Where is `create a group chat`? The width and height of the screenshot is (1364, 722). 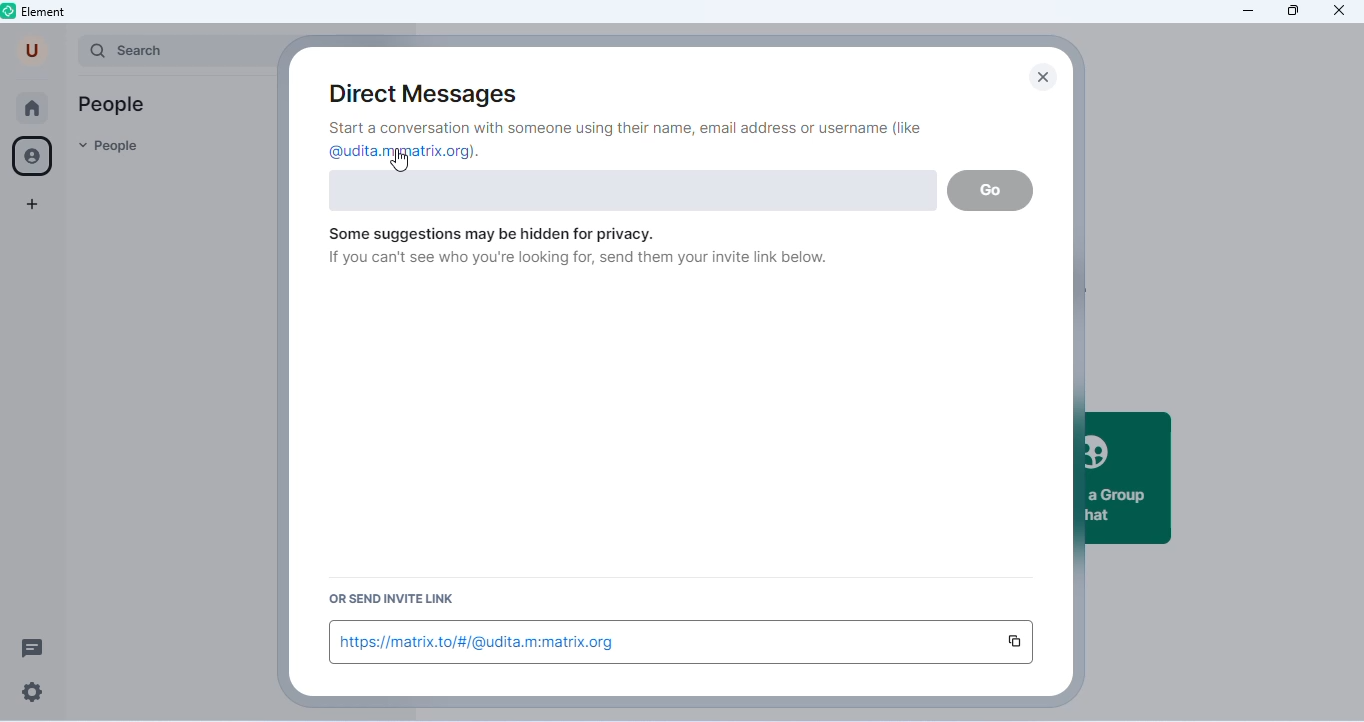
create a group chat is located at coordinates (1129, 478).